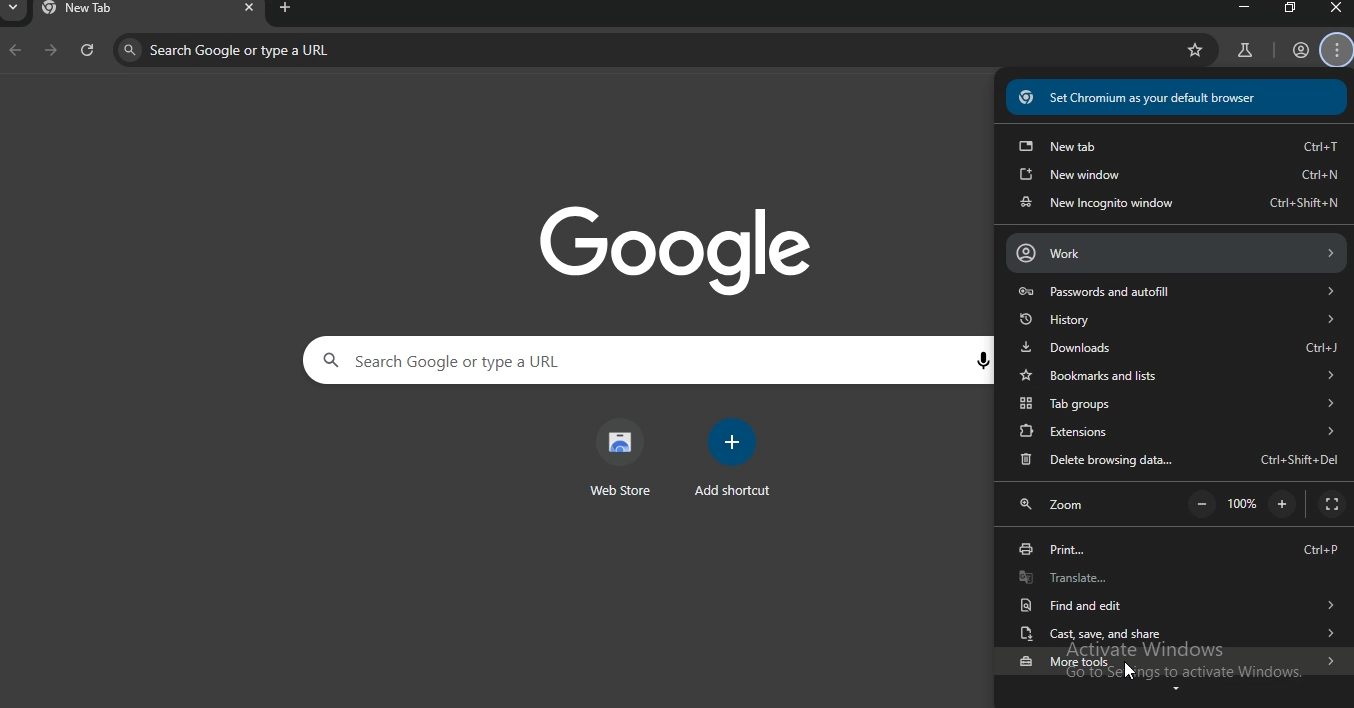 This screenshot has width=1354, height=708. Describe the element at coordinates (676, 243) in the screenshot. I see `google` at that location.